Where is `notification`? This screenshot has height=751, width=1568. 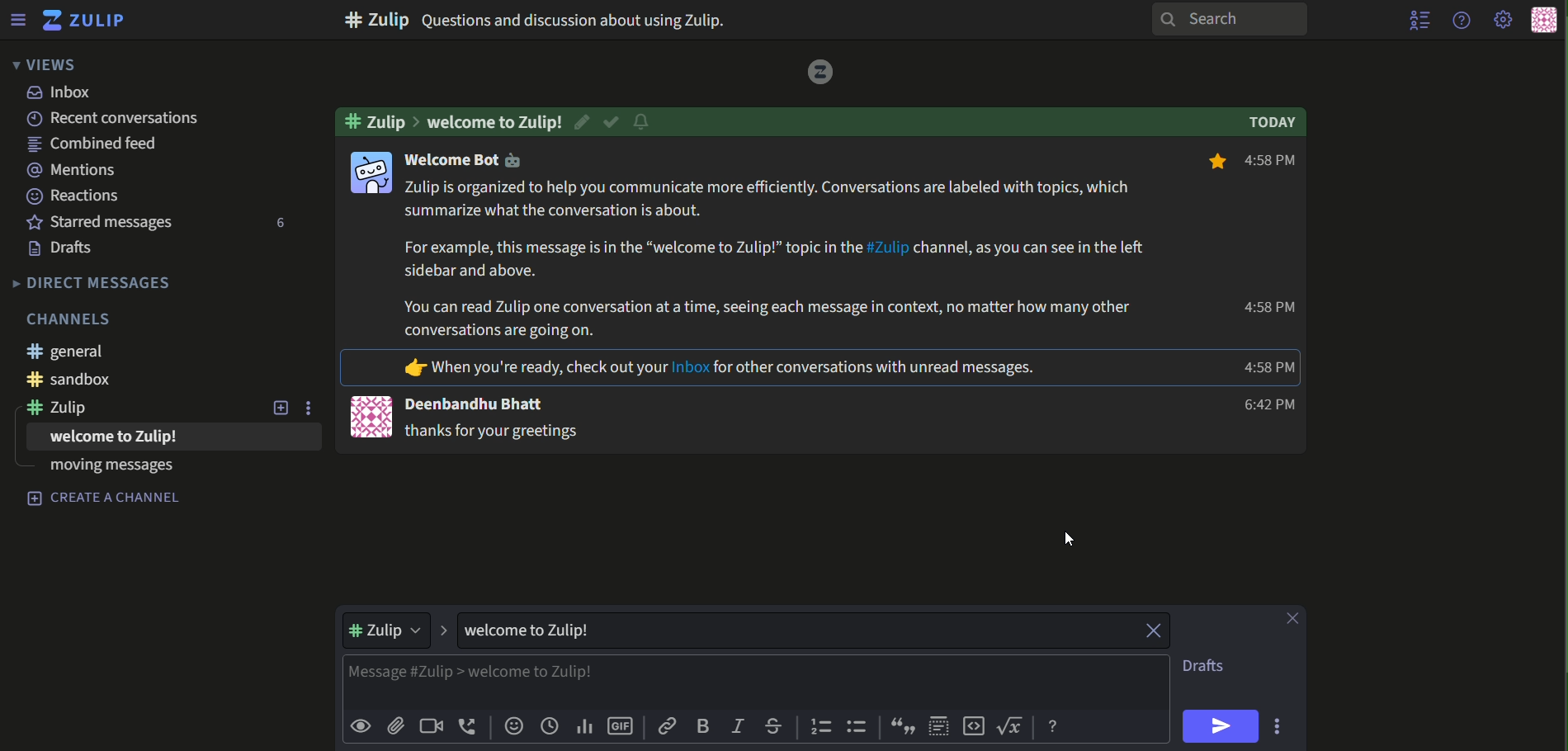 notification is located at coordinates (641, 124).